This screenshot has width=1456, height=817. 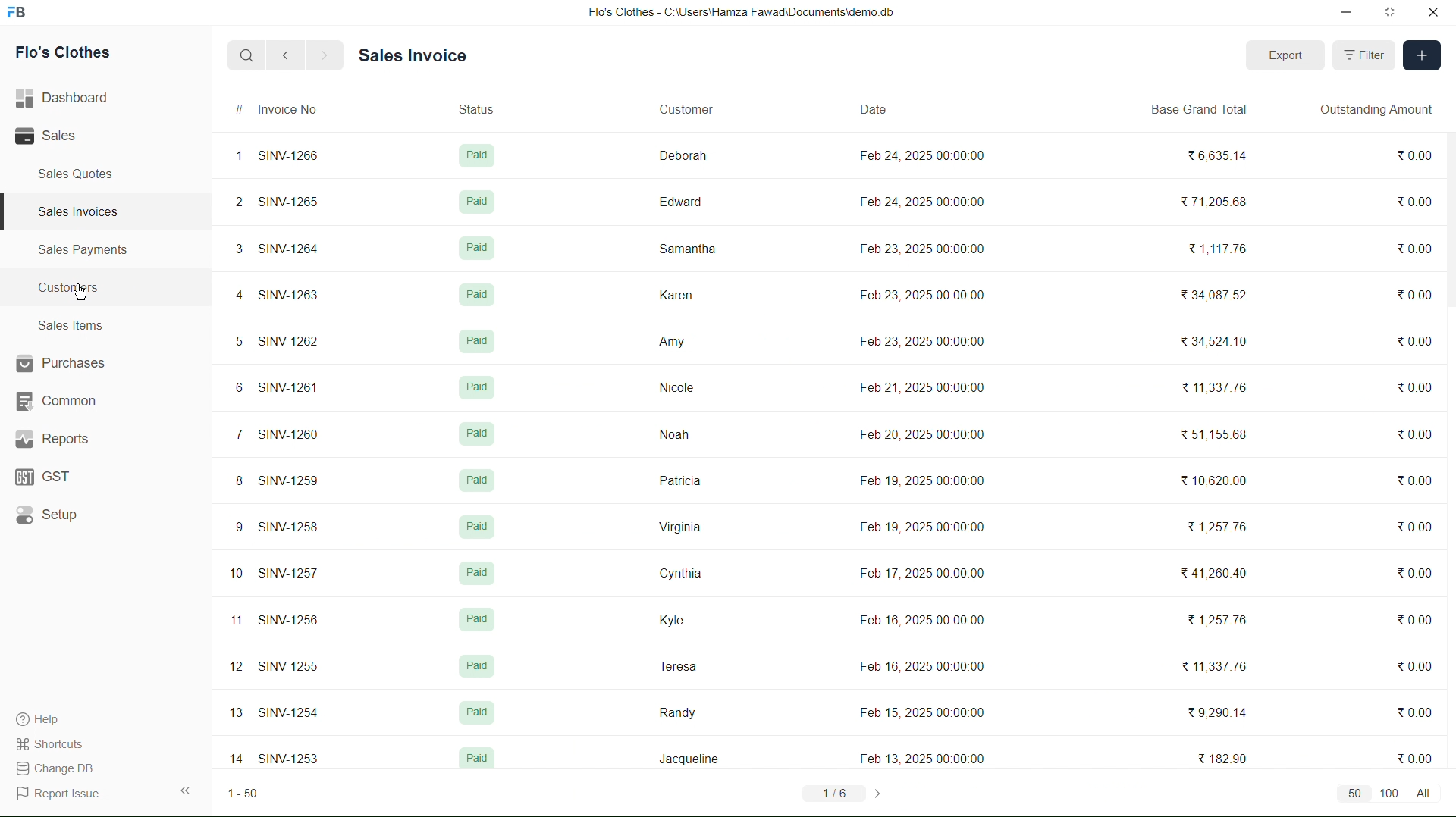 I want to click on Paid, so click(x=475, y=295).